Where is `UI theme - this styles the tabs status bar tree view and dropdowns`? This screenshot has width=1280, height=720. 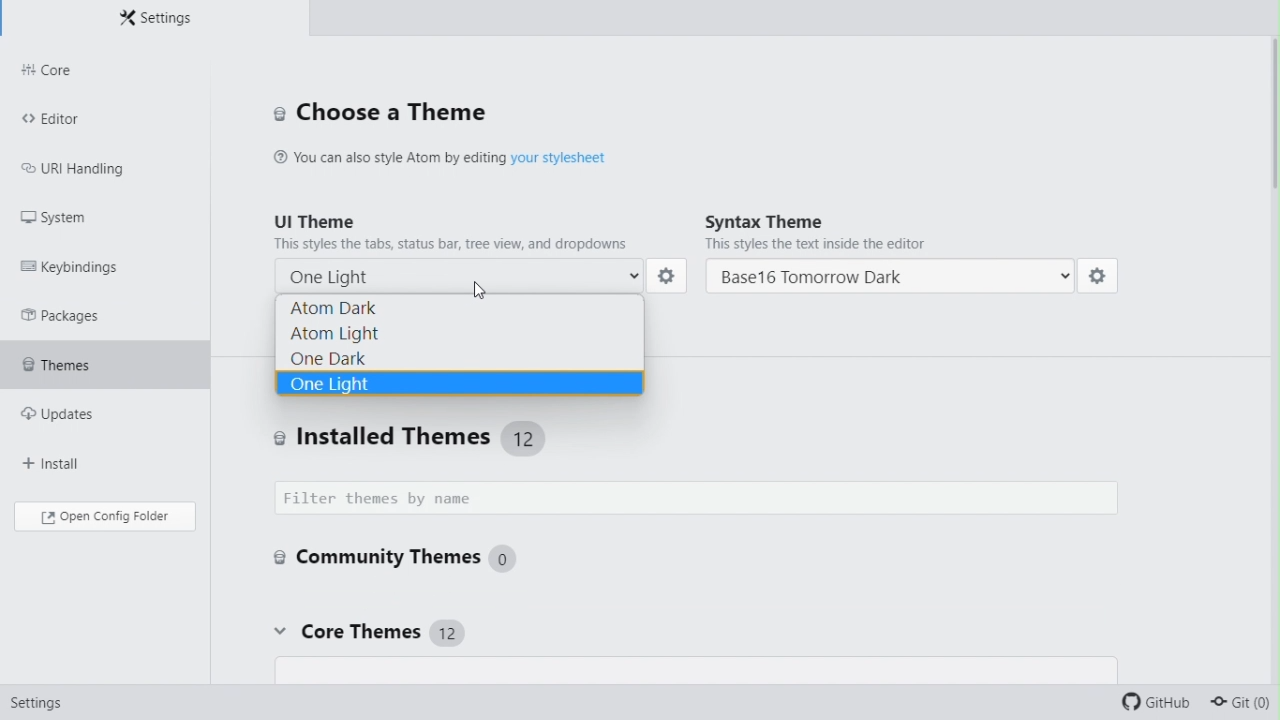 UI theme - this styles the tabs status bar tree view and dropdowns is located at coordinates (459, 229).